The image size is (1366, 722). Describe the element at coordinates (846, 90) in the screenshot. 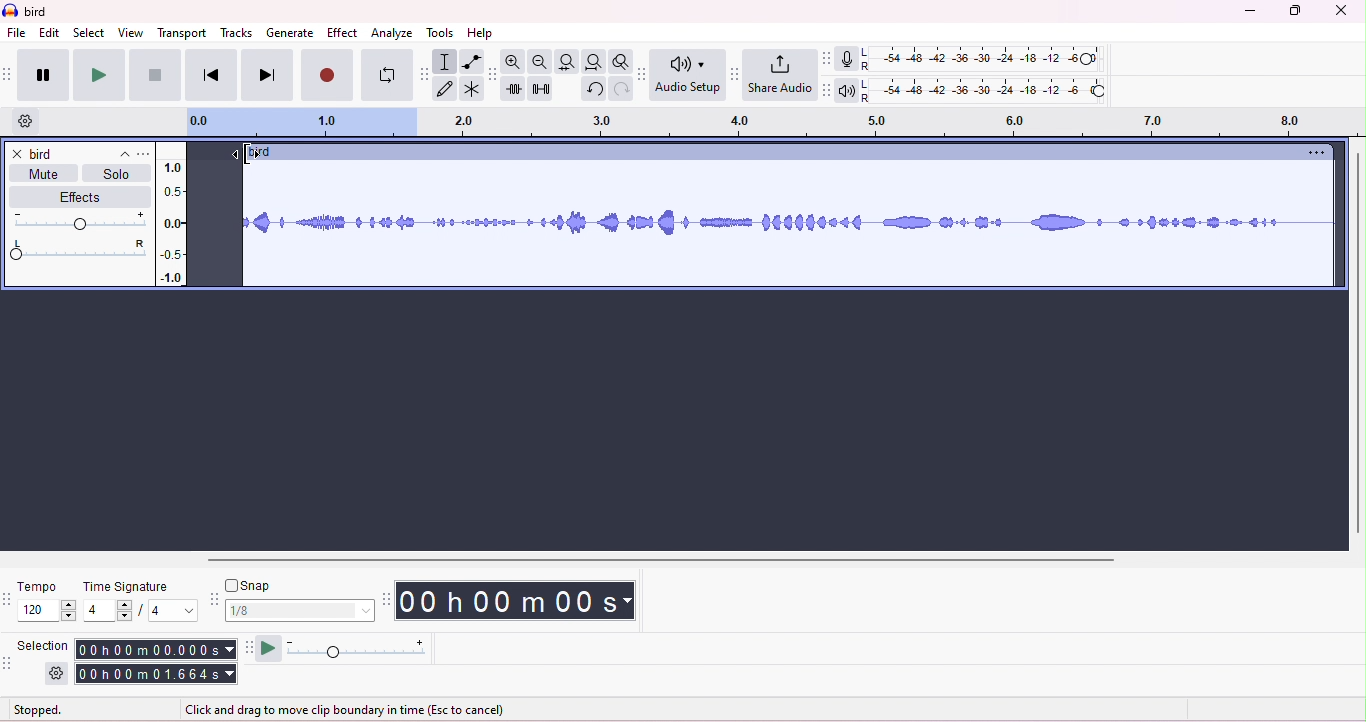

I see `playback meter` at that location.